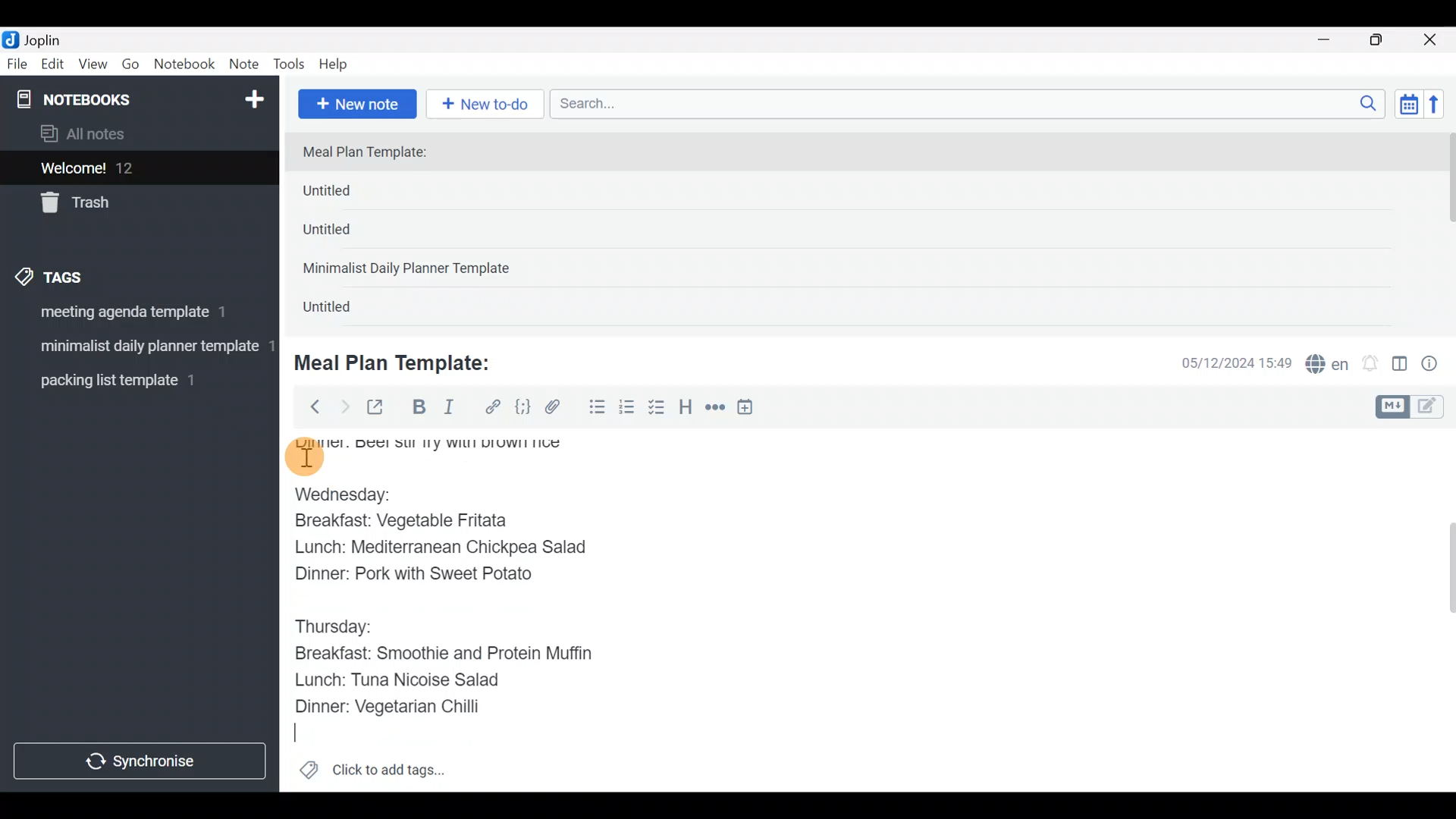  What do you see at coordinates (381, 408) in the screenshot?
I see `Toggle external editing` at bounding box center [381, 408].